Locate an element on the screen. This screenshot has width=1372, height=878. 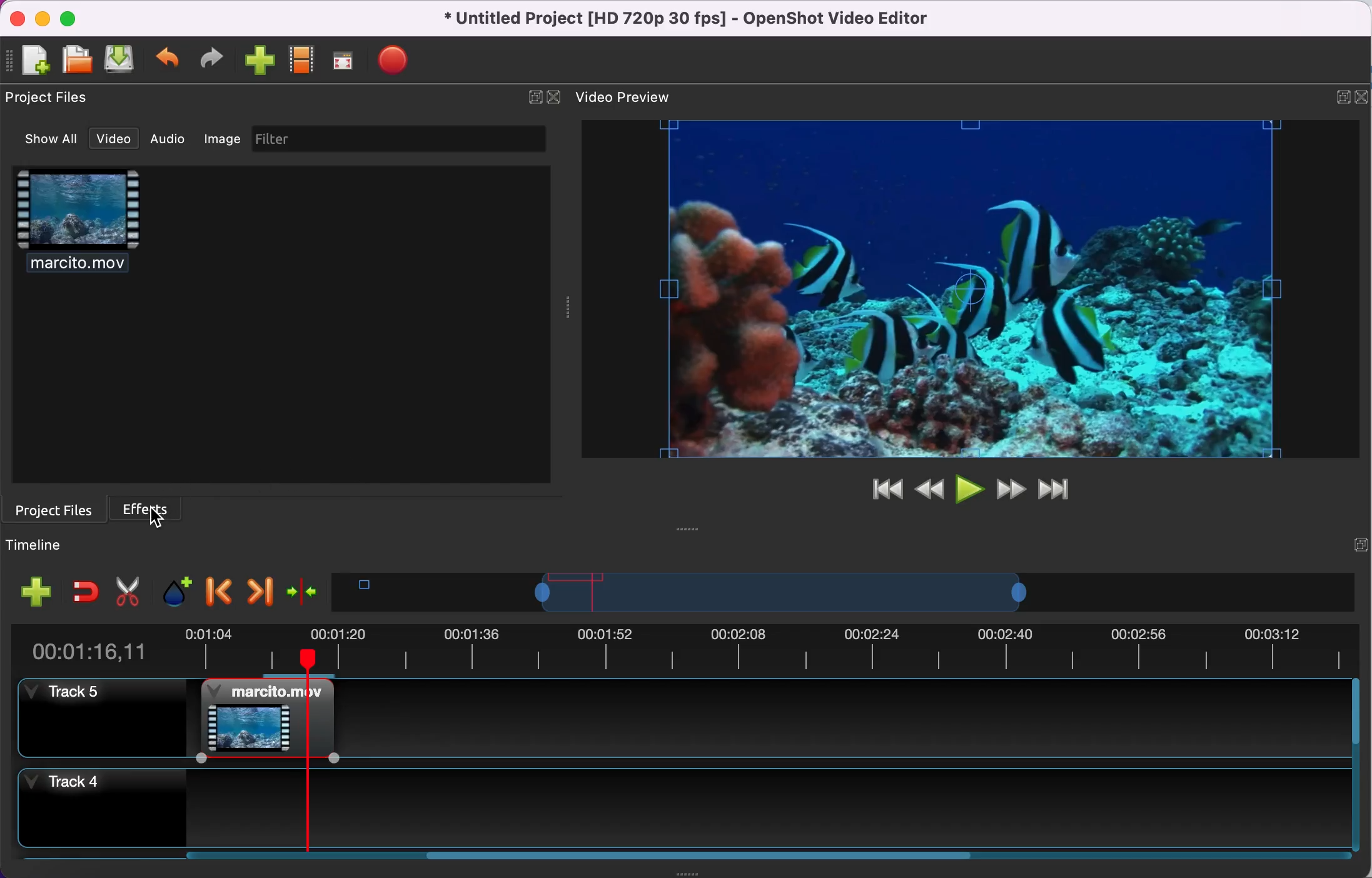
show all is located at coordinates (43, 139).